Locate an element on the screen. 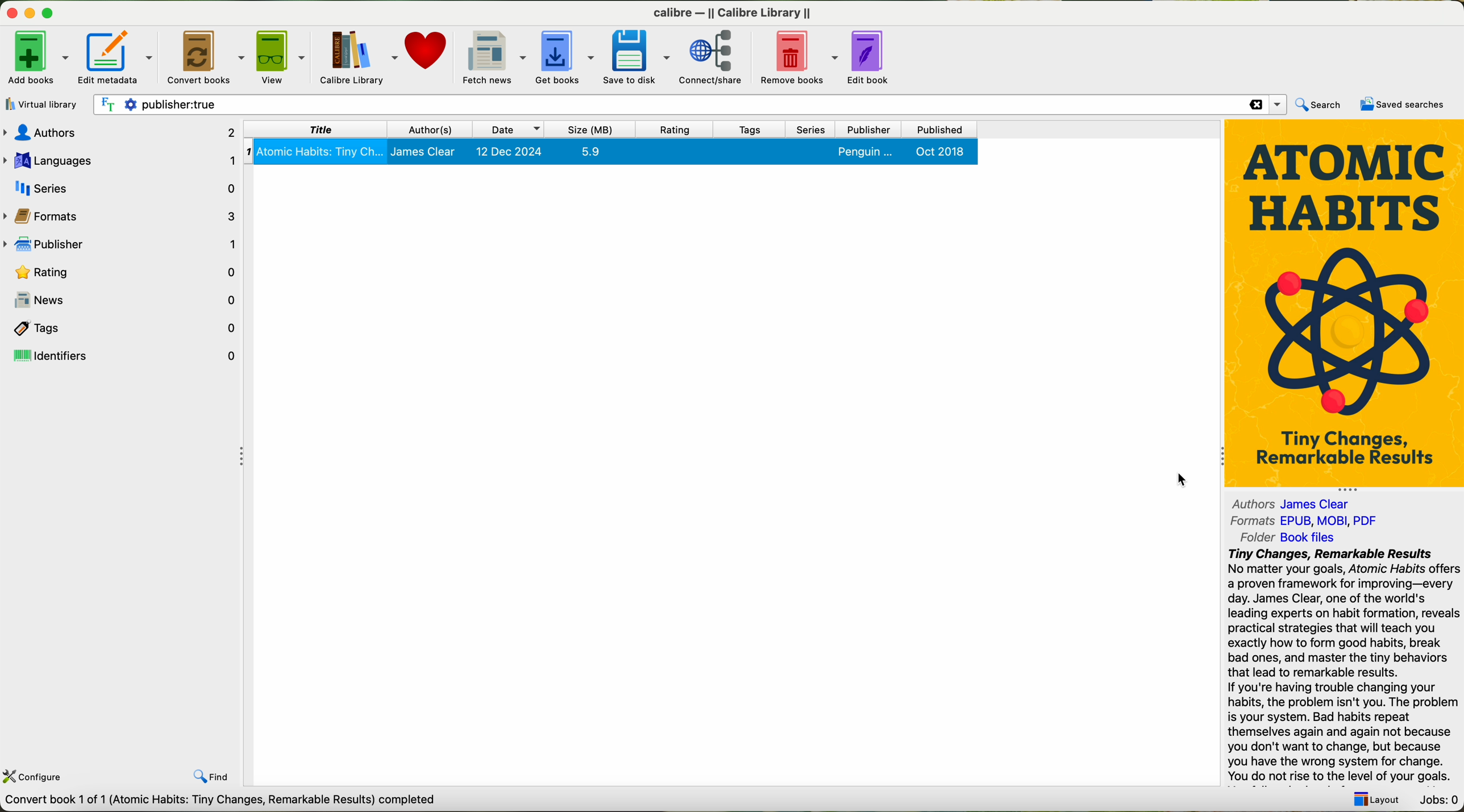 Image resolution: width=1464 pixels, height=812 pixels. calibre is located at coordinates (731, 10).